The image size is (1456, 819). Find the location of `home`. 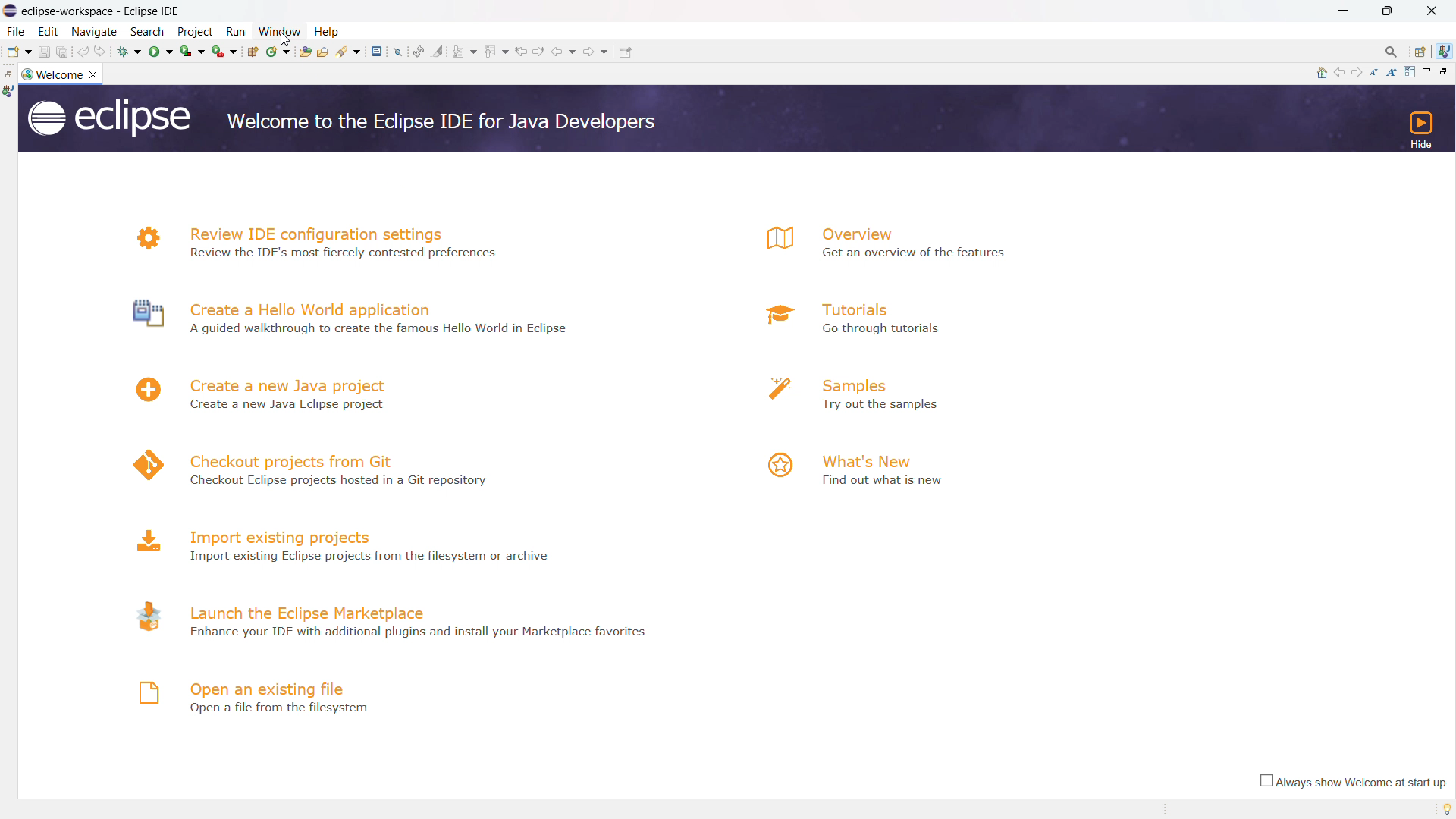

home is located at coordinates (1320, 73).